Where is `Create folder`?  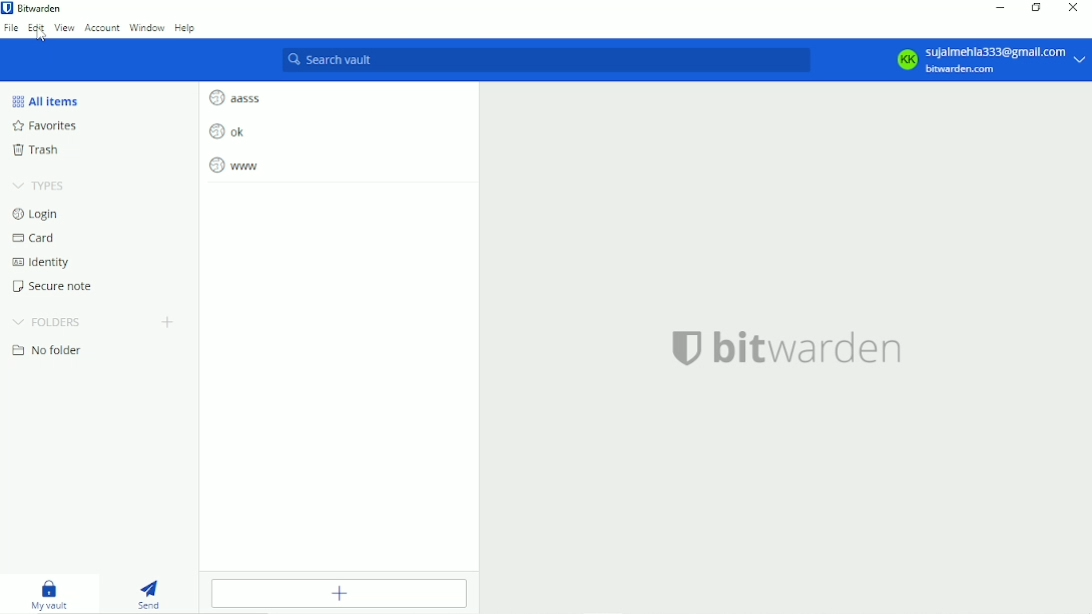 Create folder is located at coordinates (167, 321).